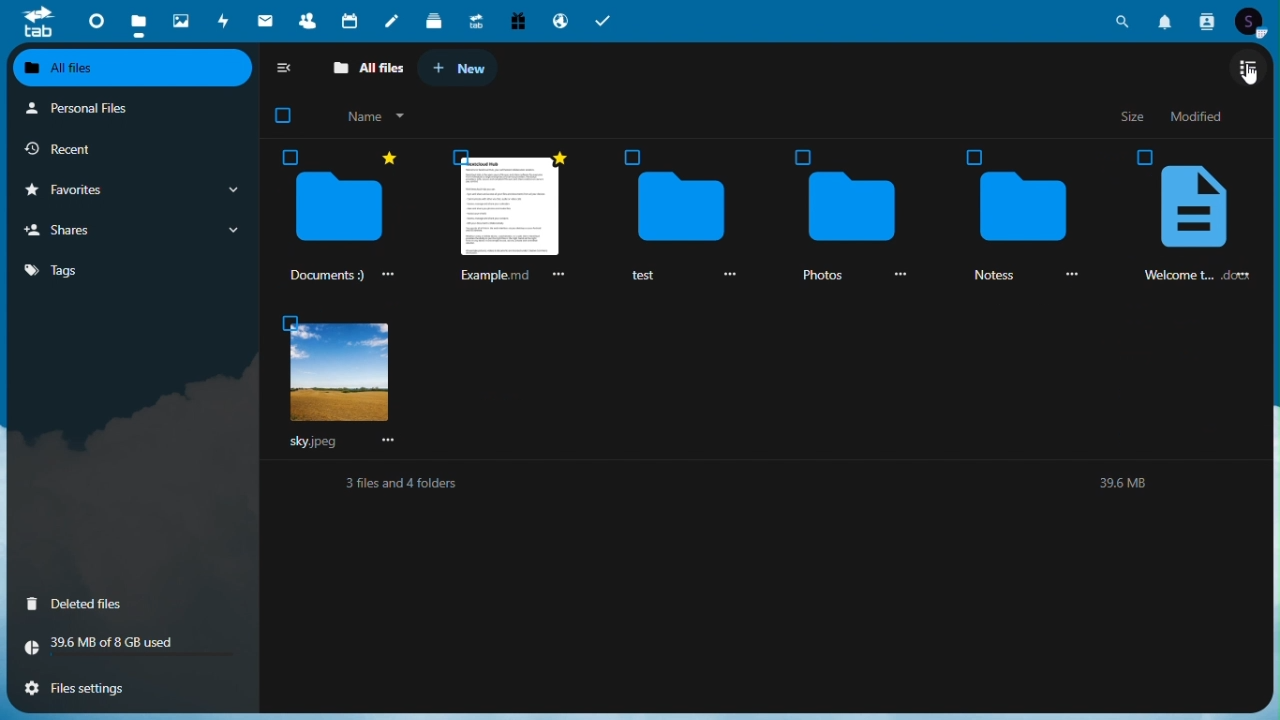 Image resolution: width=1280 pixels, height=720 pixels. I want to click on dashboard, so click(95, 21).